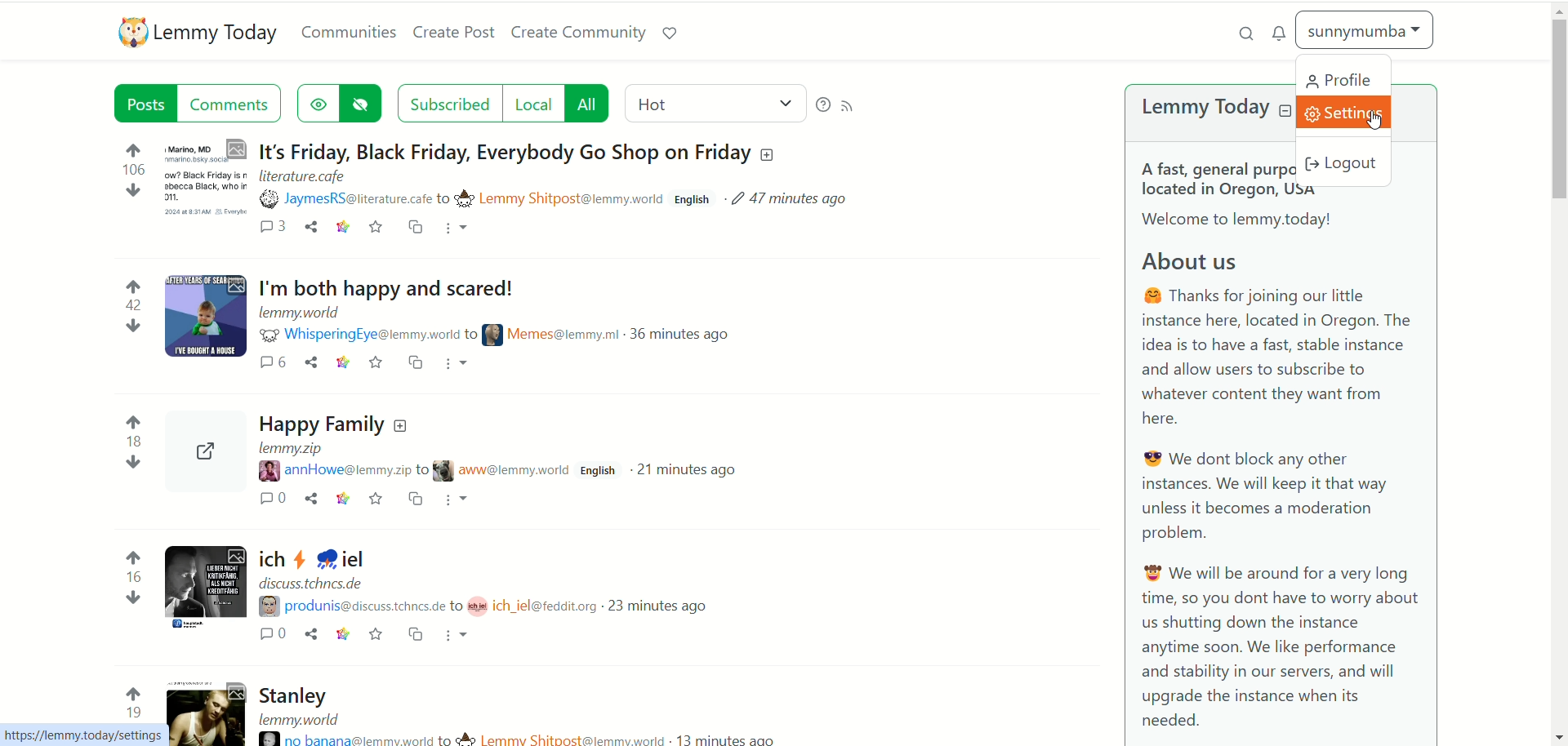 The height and width of the screenshot is (746, 1568). Describe the element at coordinates (1281, 477) in the screenshot. I see `text` at that location.